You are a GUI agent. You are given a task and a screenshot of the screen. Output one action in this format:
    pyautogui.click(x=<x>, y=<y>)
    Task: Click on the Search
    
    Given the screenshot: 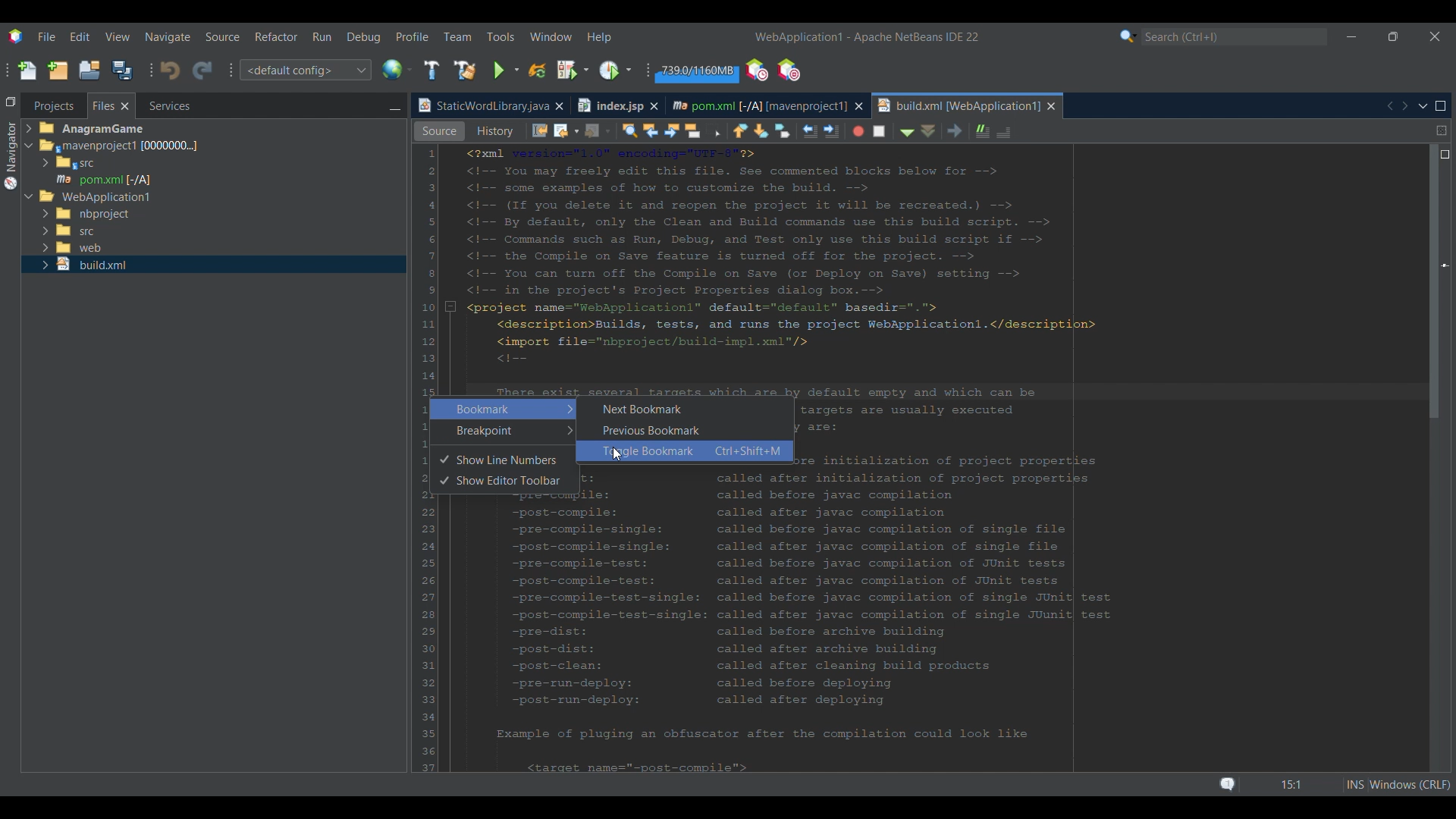 What is the action you would take?
    pyautogui.click(x=1235, y=37)
    